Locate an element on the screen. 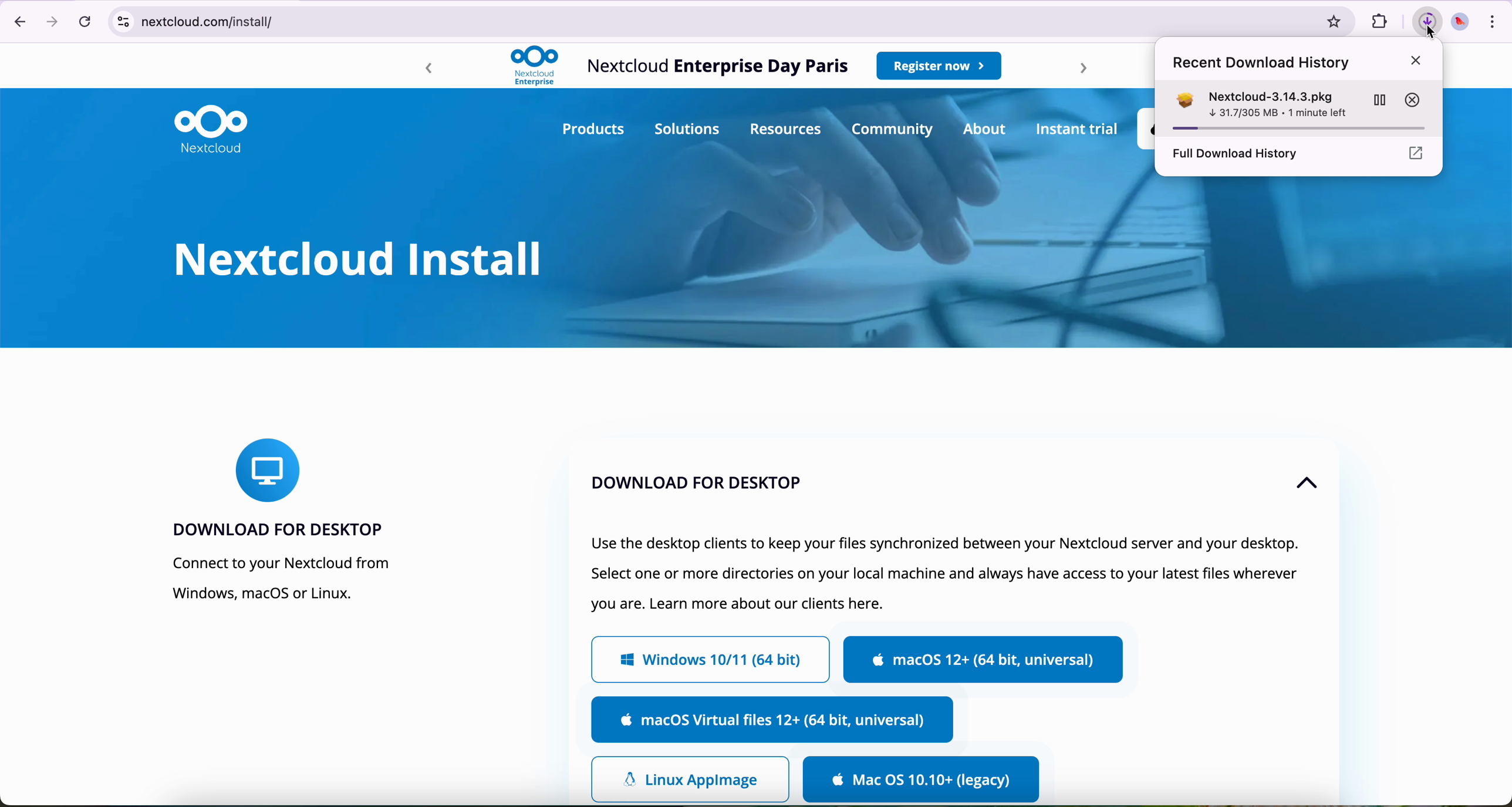  profile is located at coordinates (1461, 19).